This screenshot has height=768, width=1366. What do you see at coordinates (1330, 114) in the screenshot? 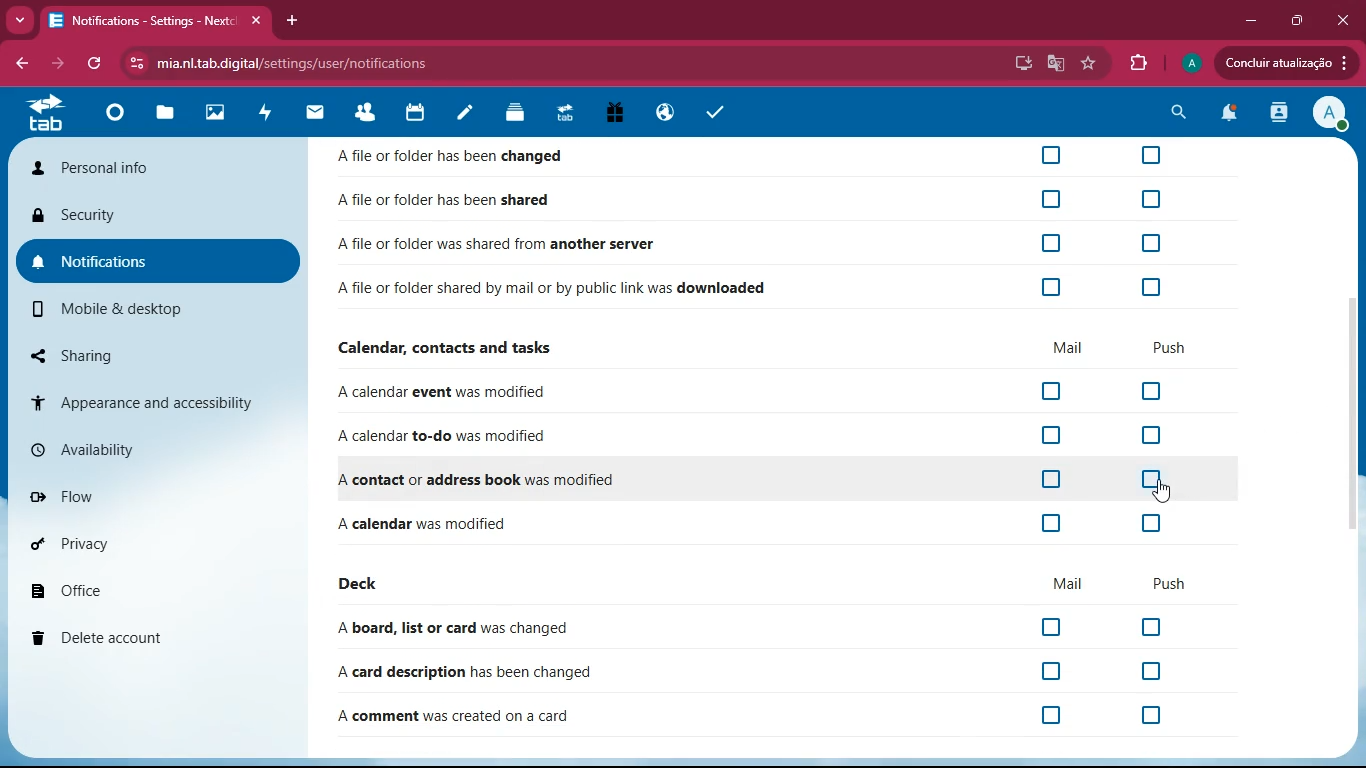
I see `View Profile` at bounding box center [1330, 114].